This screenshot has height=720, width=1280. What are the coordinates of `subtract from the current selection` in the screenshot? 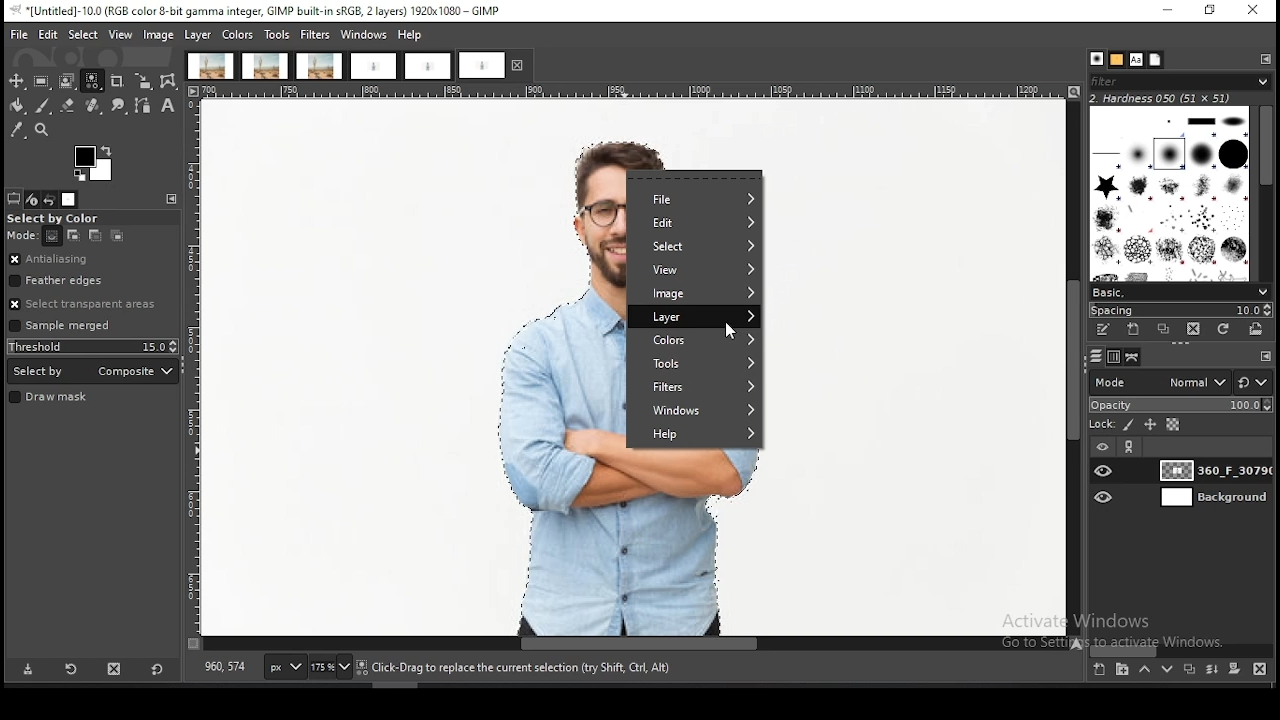 It's located at (94, 236).